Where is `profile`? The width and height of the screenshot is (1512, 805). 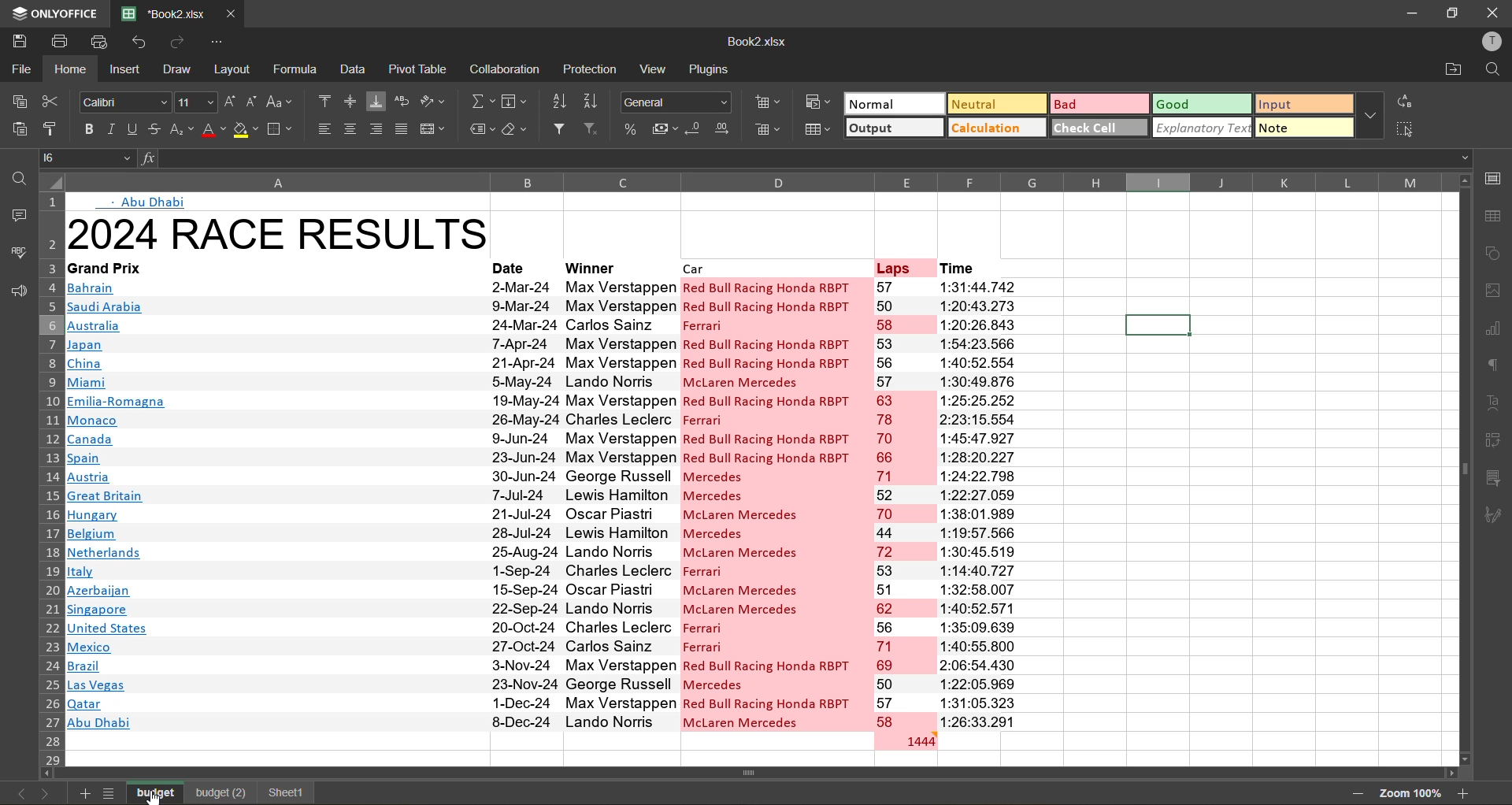 profile is located at coordinates (1488, 42).